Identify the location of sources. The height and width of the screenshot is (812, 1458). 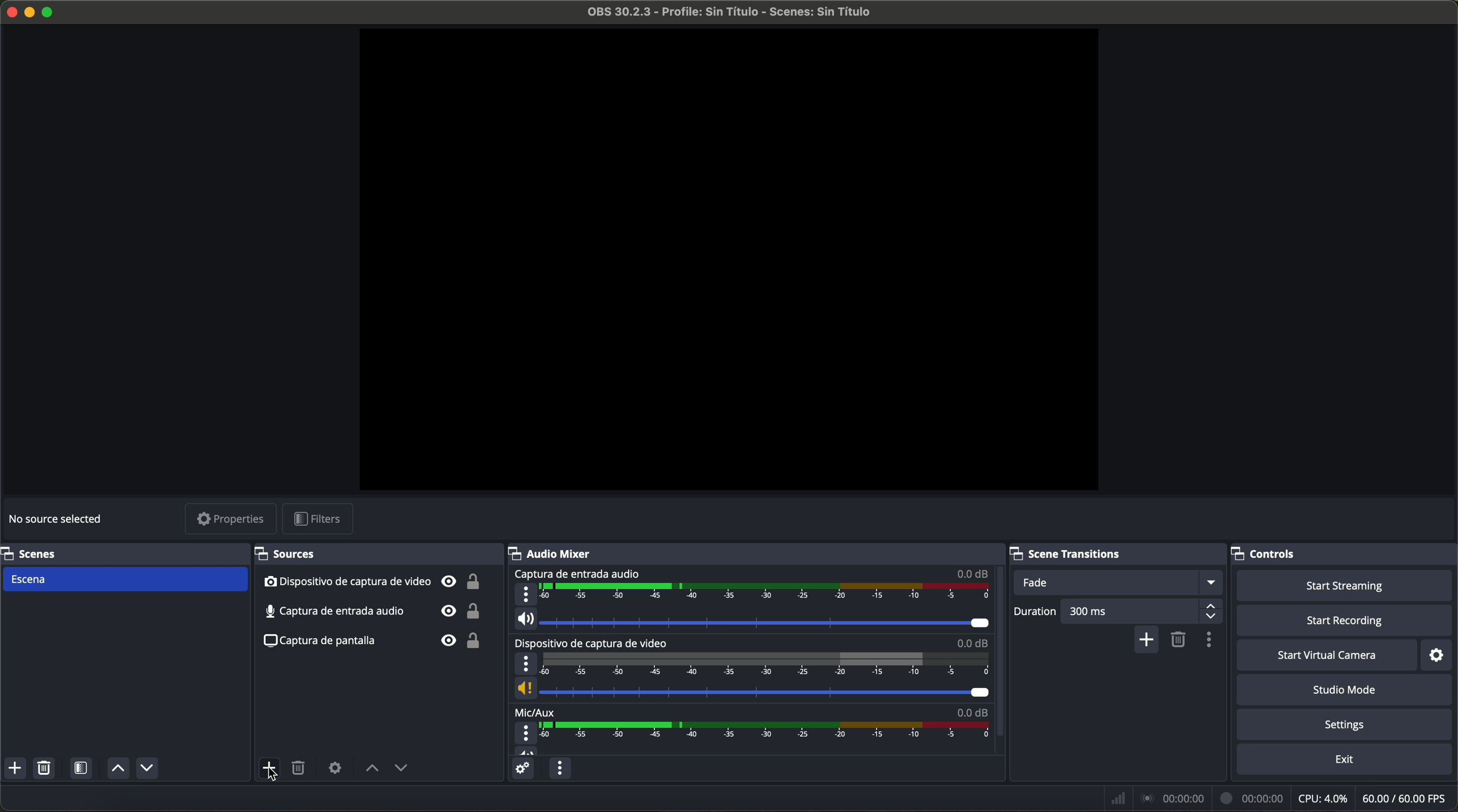
(300, 555).